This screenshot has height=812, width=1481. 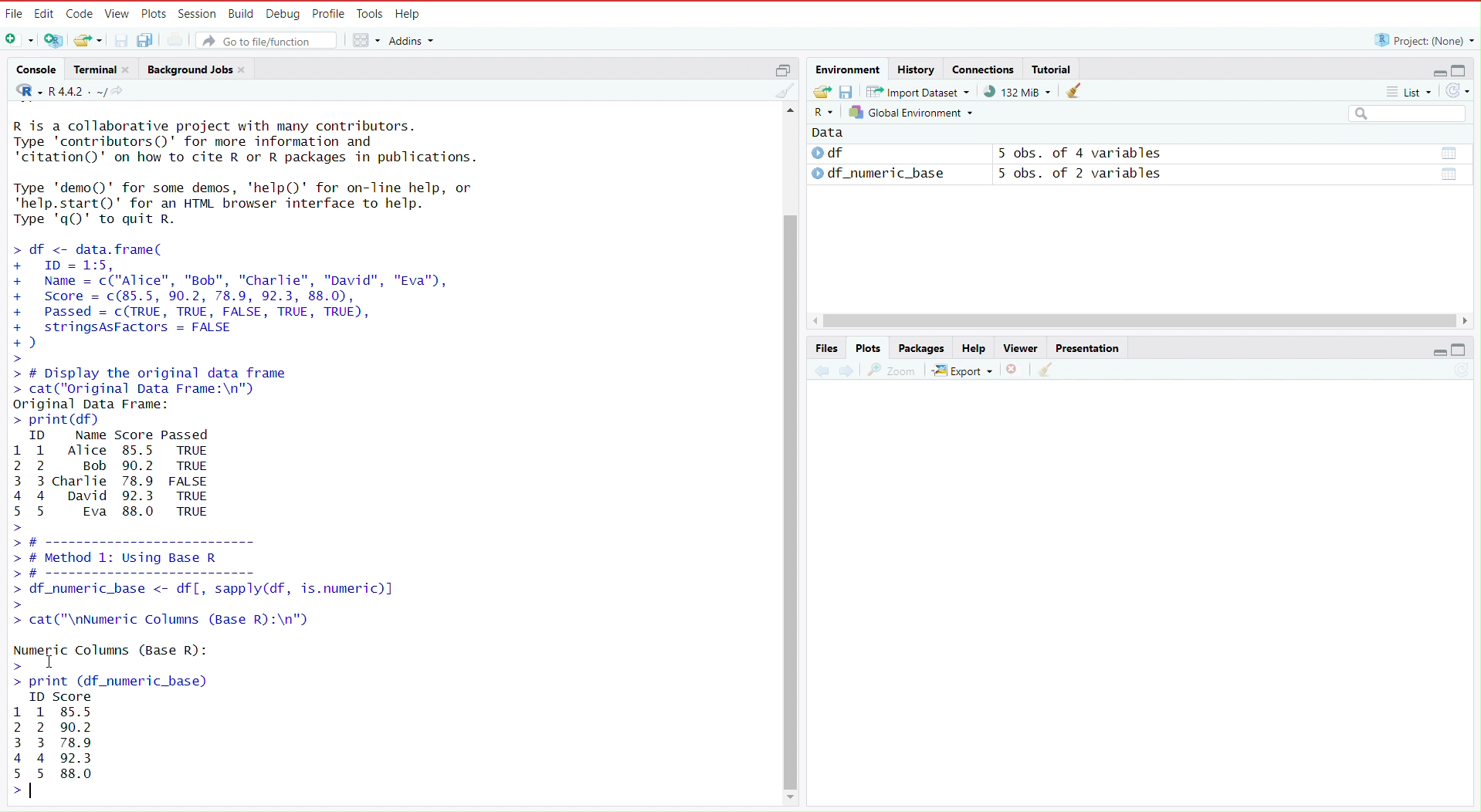 I want to click on language select, so click(x=22, y=90).